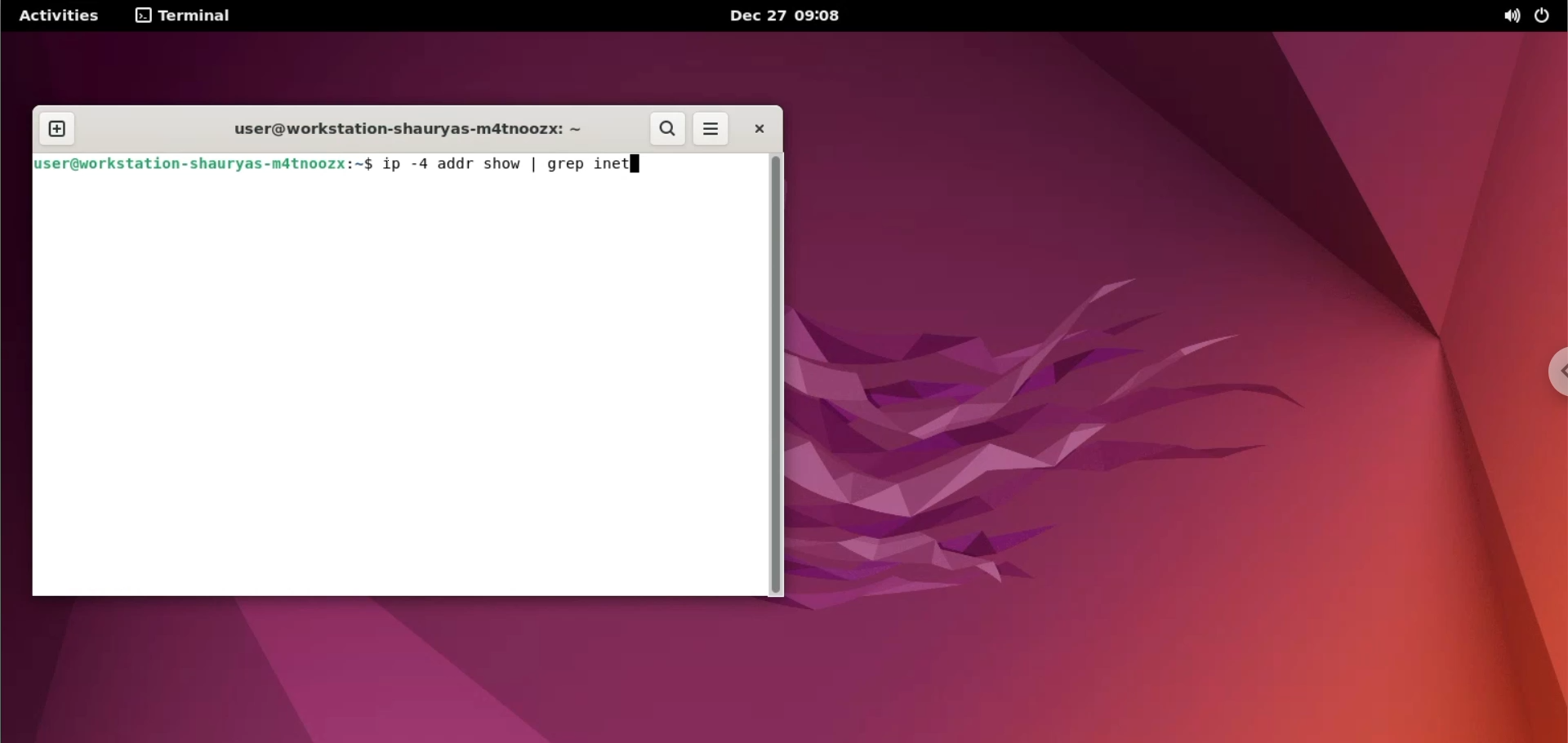 Image resolution: width=1568 pixels, height=743 pixels. I want to click on new tab, so click(51, 130).